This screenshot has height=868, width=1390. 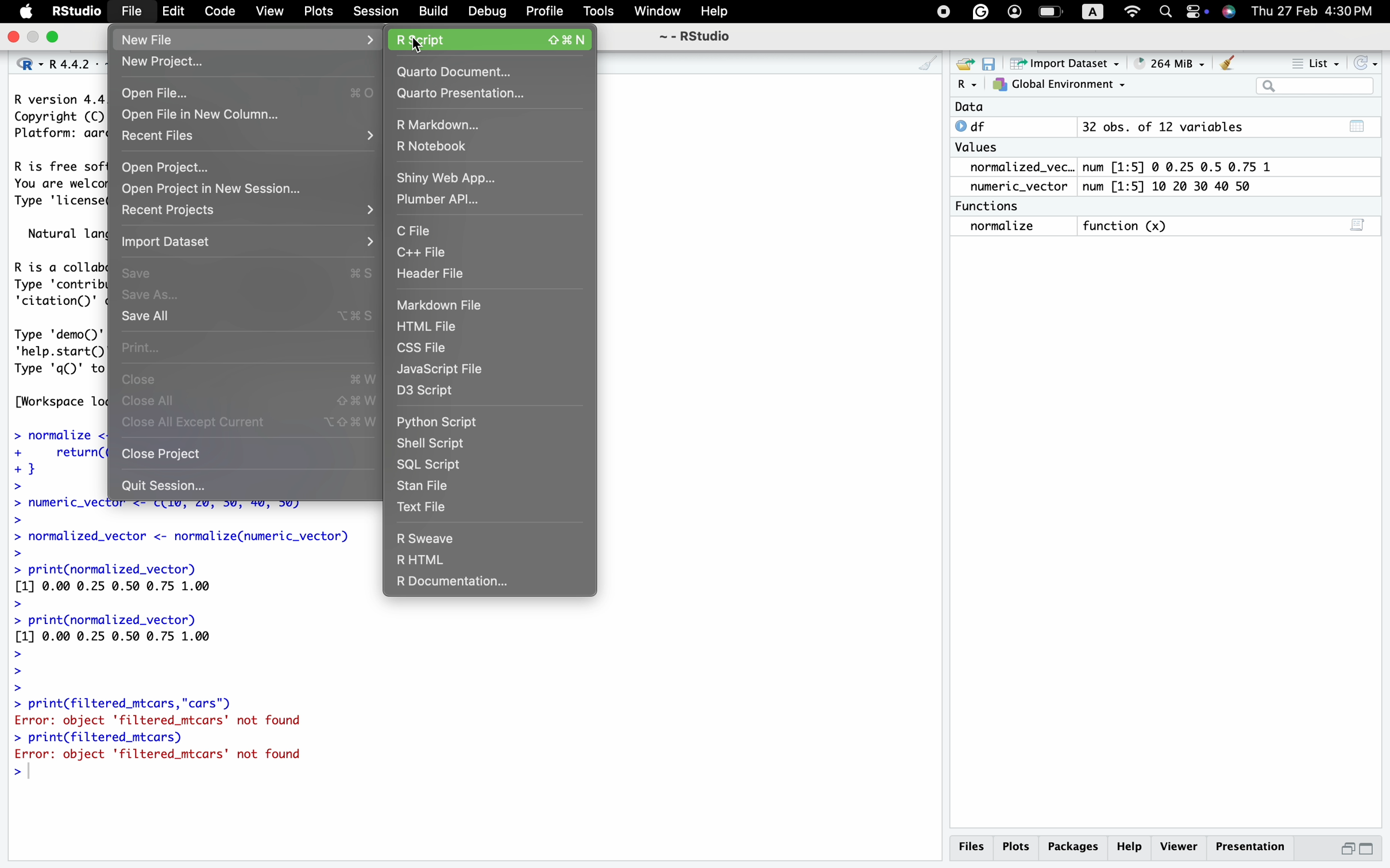 What do you see at coordinates (482, 126) in the screenshot?
I see `r markdown` at bounding box center [482, 126].